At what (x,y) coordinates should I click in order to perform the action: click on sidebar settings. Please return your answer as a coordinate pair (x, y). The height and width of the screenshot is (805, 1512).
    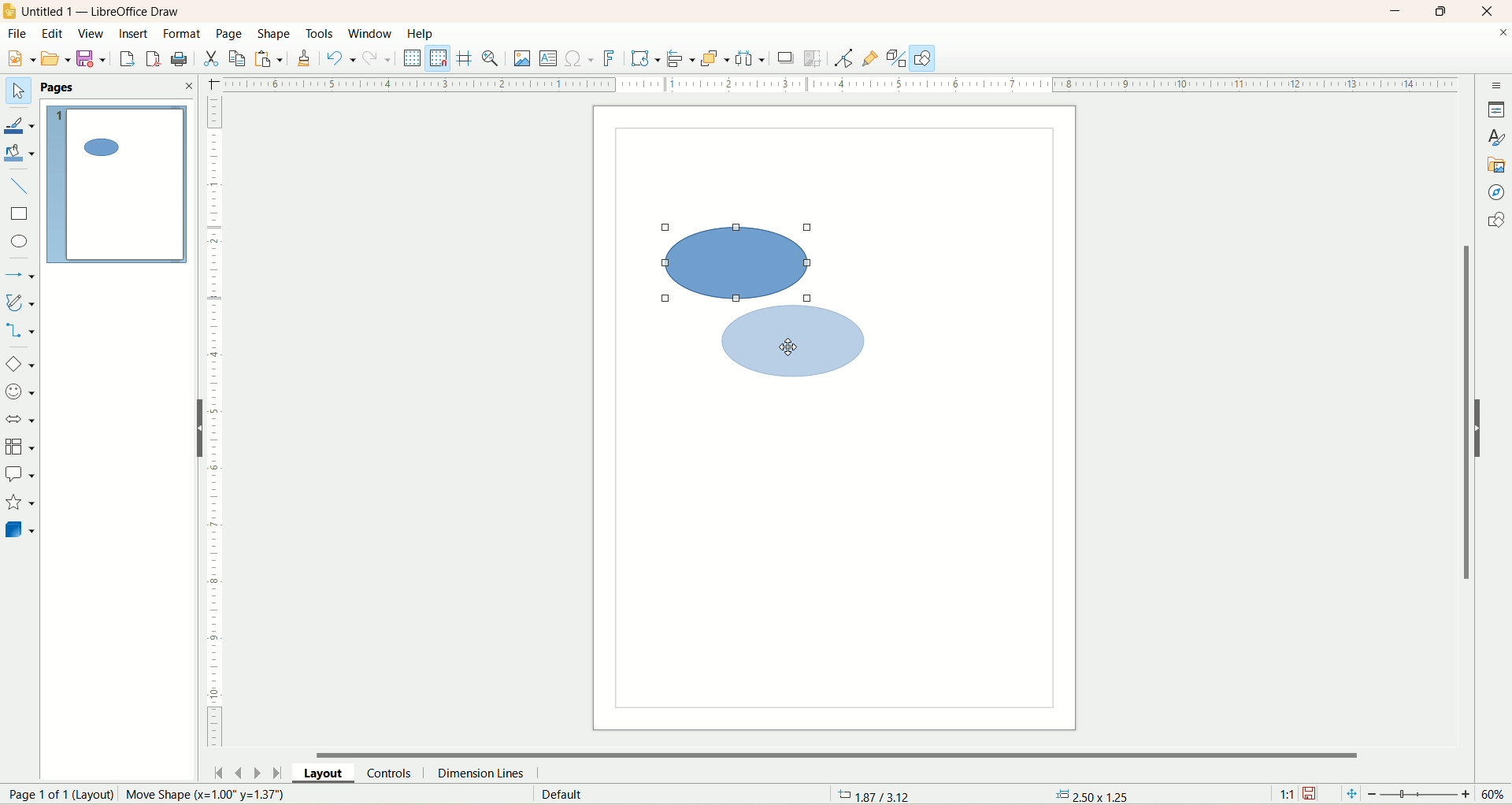
    Looking at the image, I should click on (1497, 87).